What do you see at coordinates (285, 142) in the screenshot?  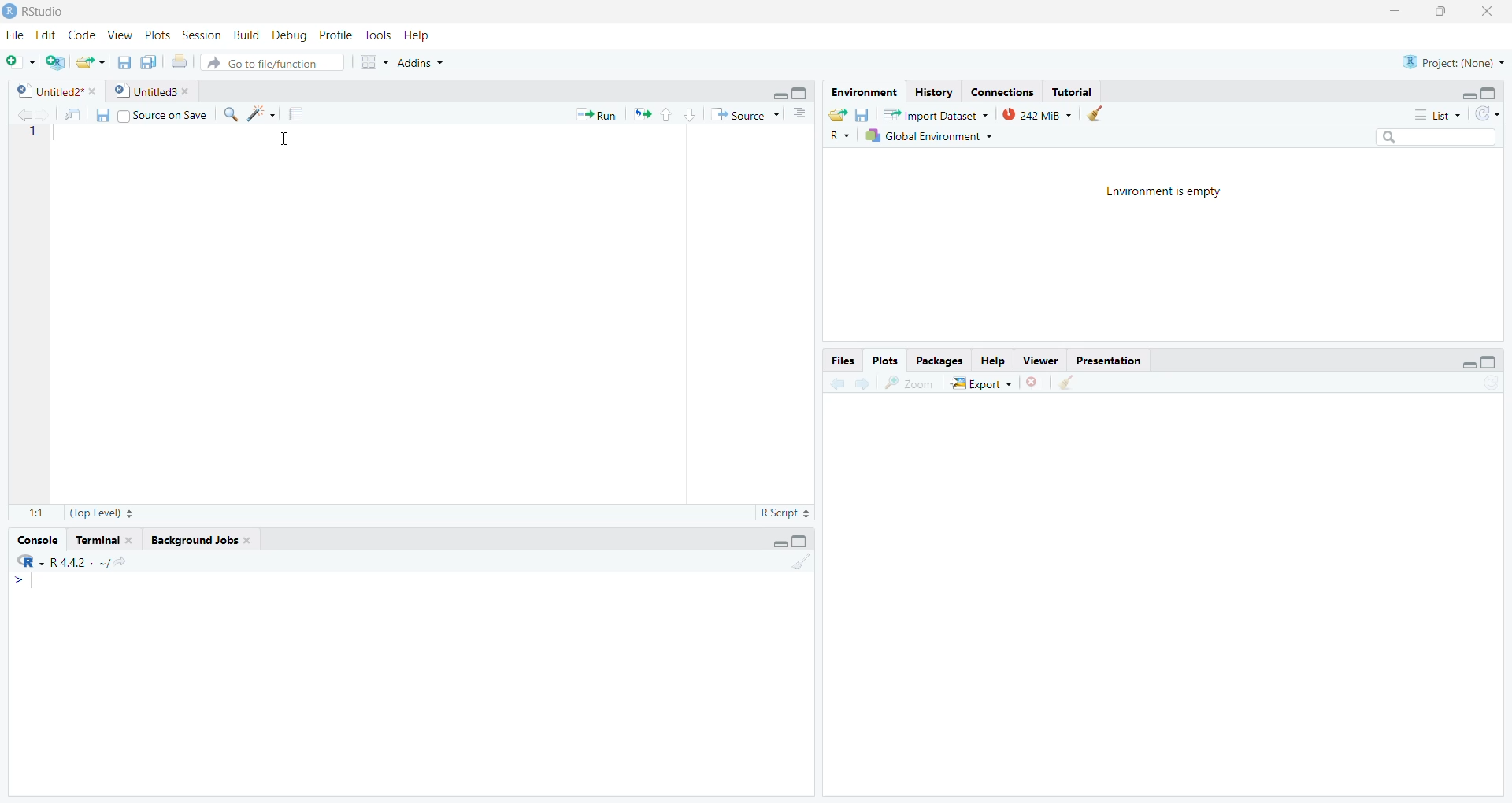 I see `cursor` at bounding box center [285, 142].